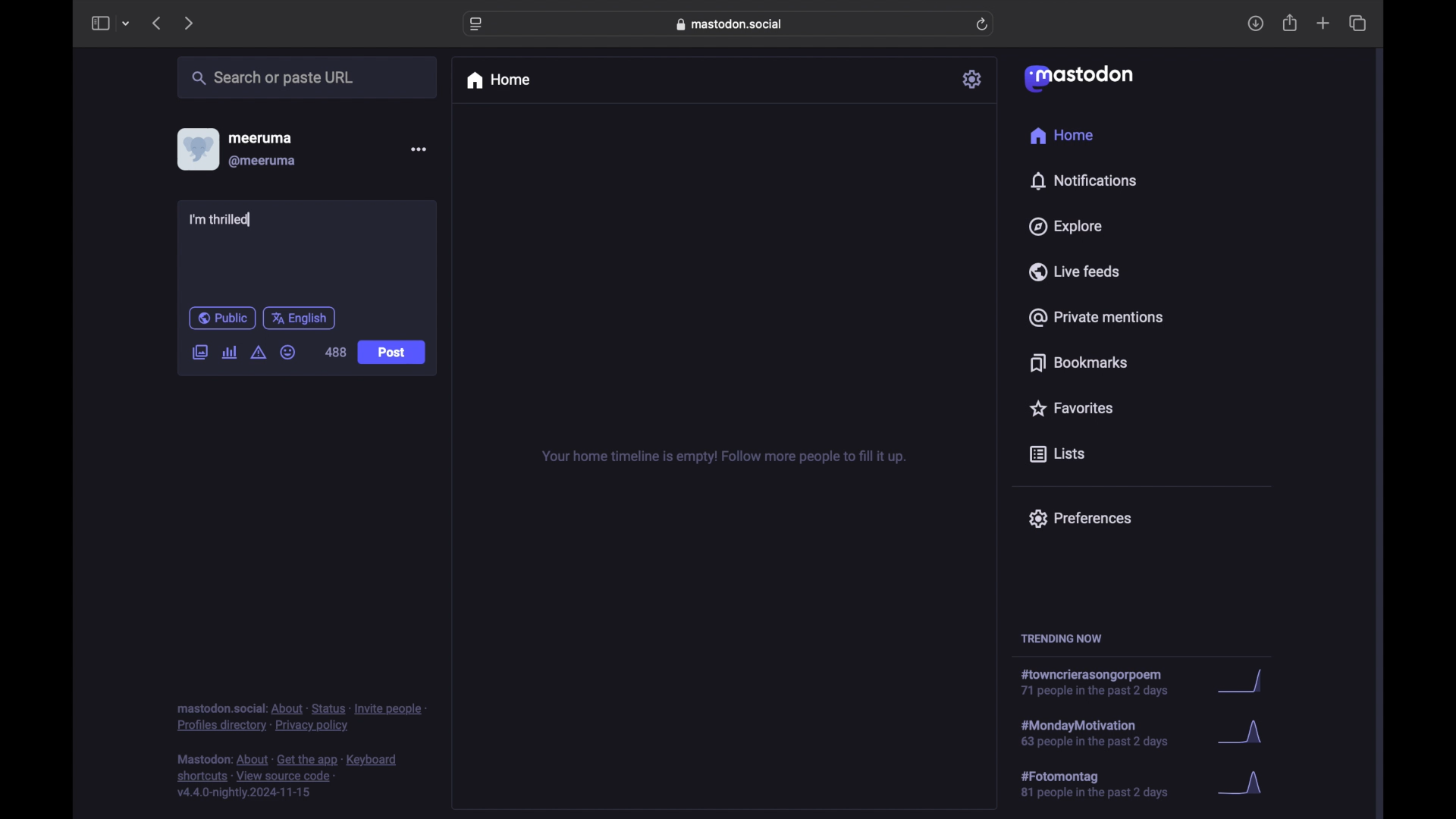 Image resolution: width=1456 pixels, height=819 pixels. What do you see at coordinates (260, 353) in the screenshot?
I see `add content warning` at bounding box center [260, 353].